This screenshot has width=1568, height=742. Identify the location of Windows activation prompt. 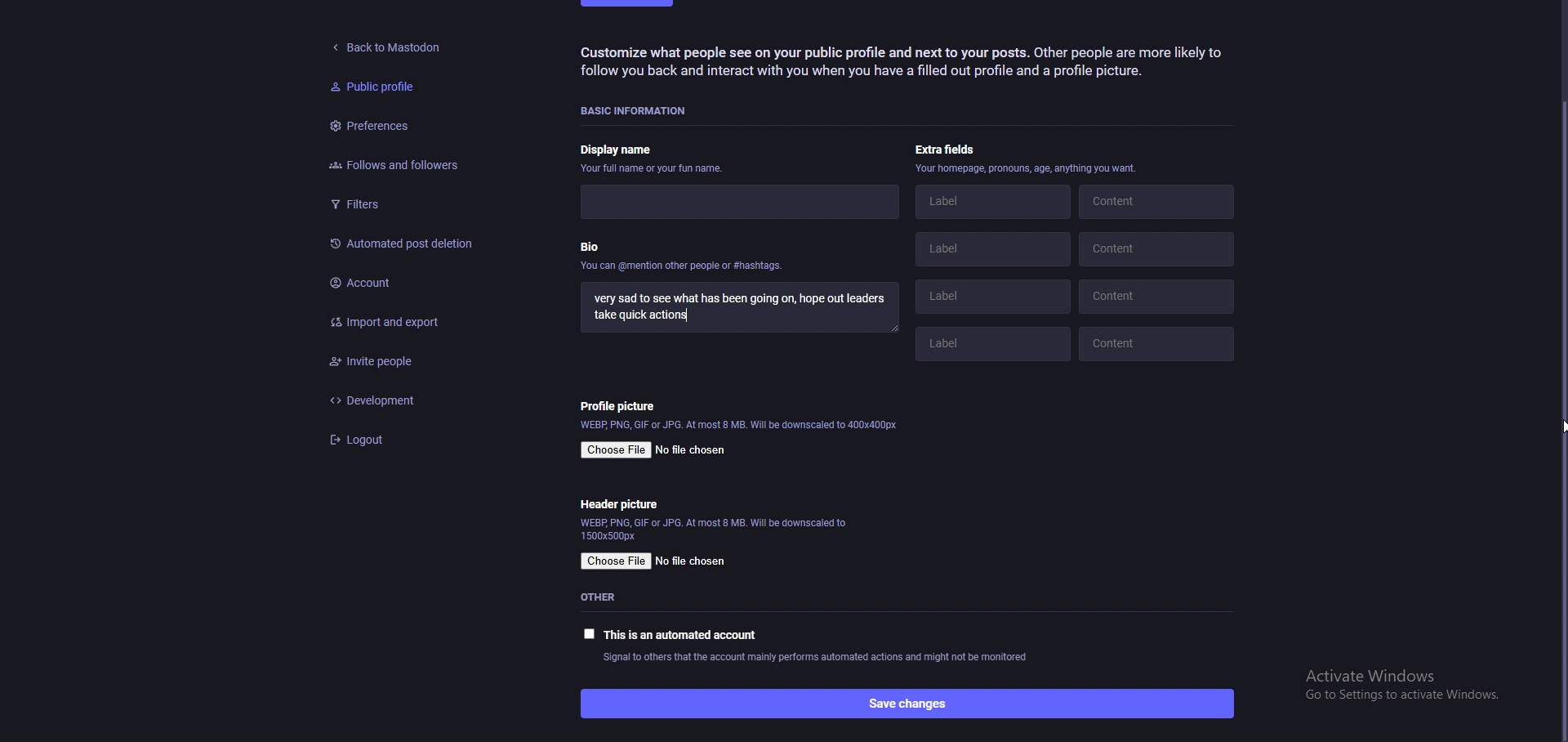
(1394, 687).